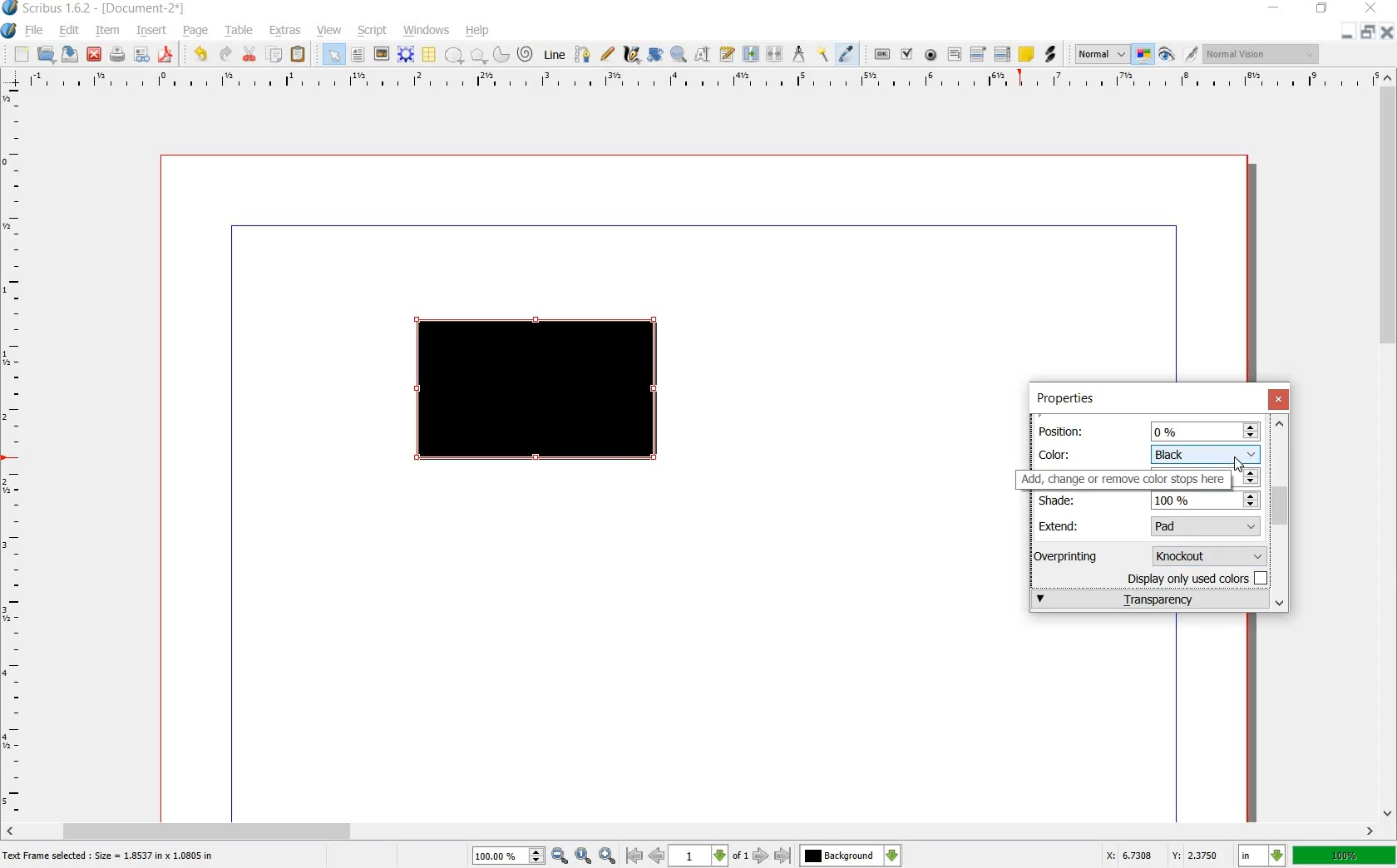  Describe the element at coordinates (96, 54) in the screenshot. I see `close` at that location.